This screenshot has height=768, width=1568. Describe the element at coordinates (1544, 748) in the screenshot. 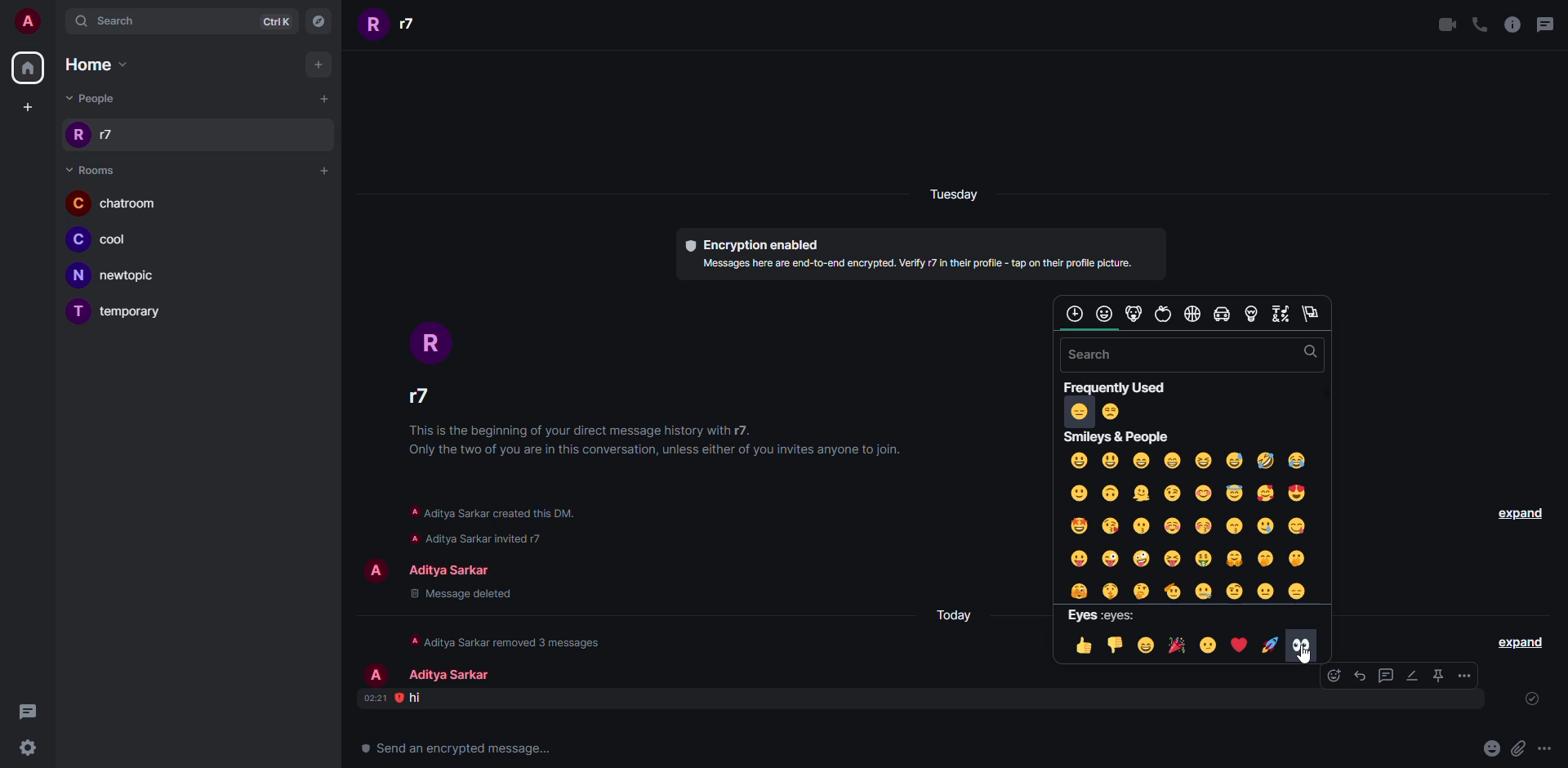

I see `more` at that location.